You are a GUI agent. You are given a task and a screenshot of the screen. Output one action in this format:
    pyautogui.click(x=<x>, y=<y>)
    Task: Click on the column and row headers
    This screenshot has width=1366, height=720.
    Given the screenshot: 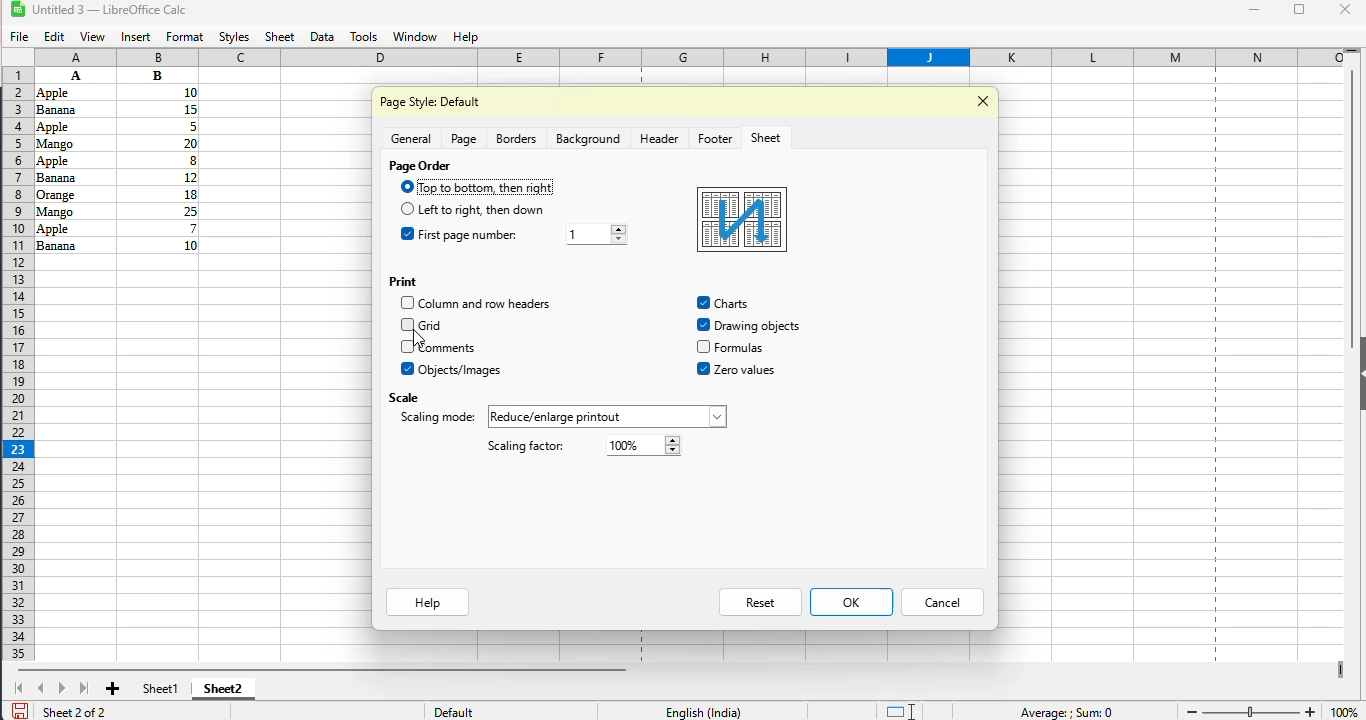 What is the action you would take?
    pyautogui.click(x=486, y=303)
    